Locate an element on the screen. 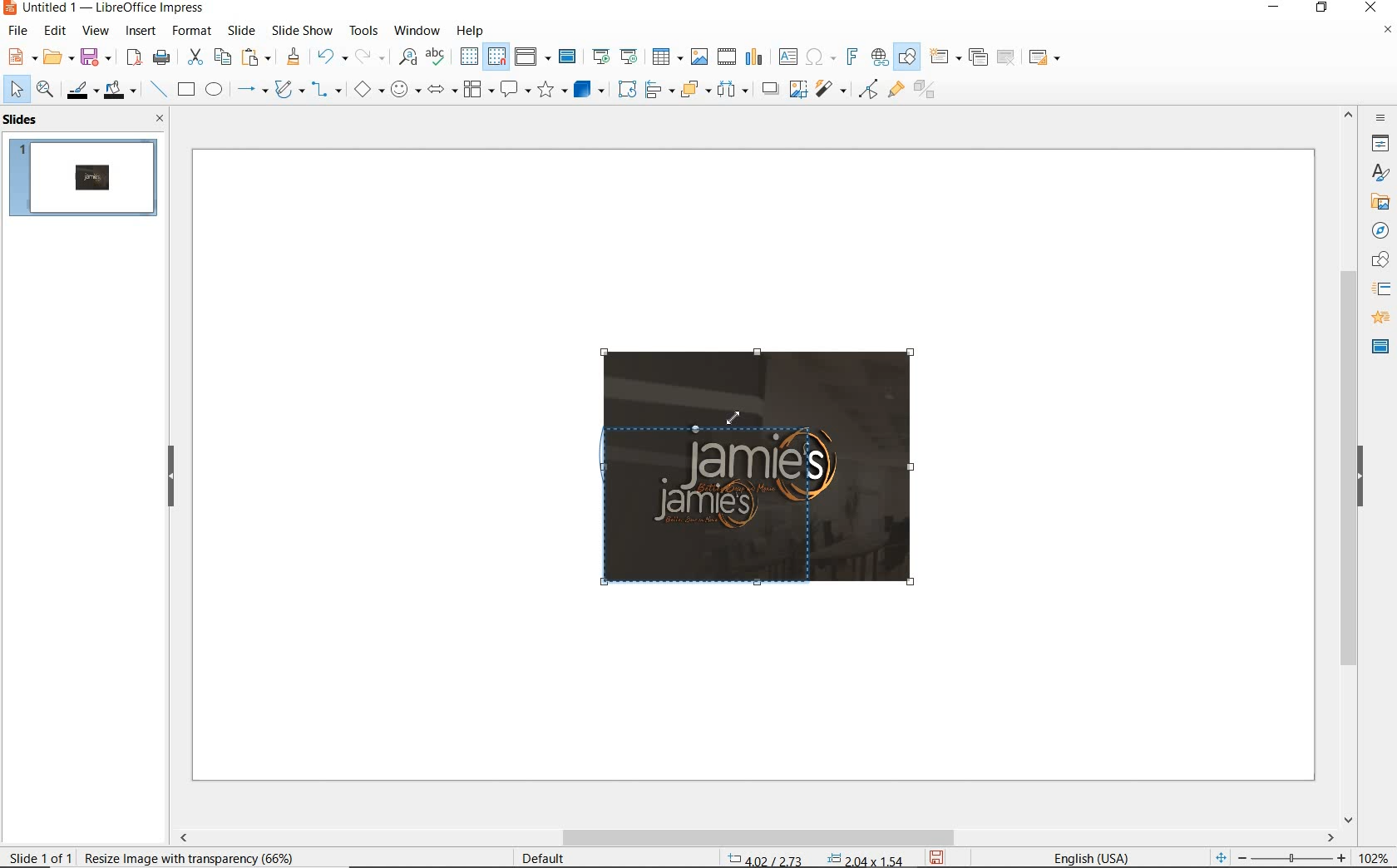 The width and height of the screenshot is (1397, 868). toggle extrusion is located at coordinates (929, 91).